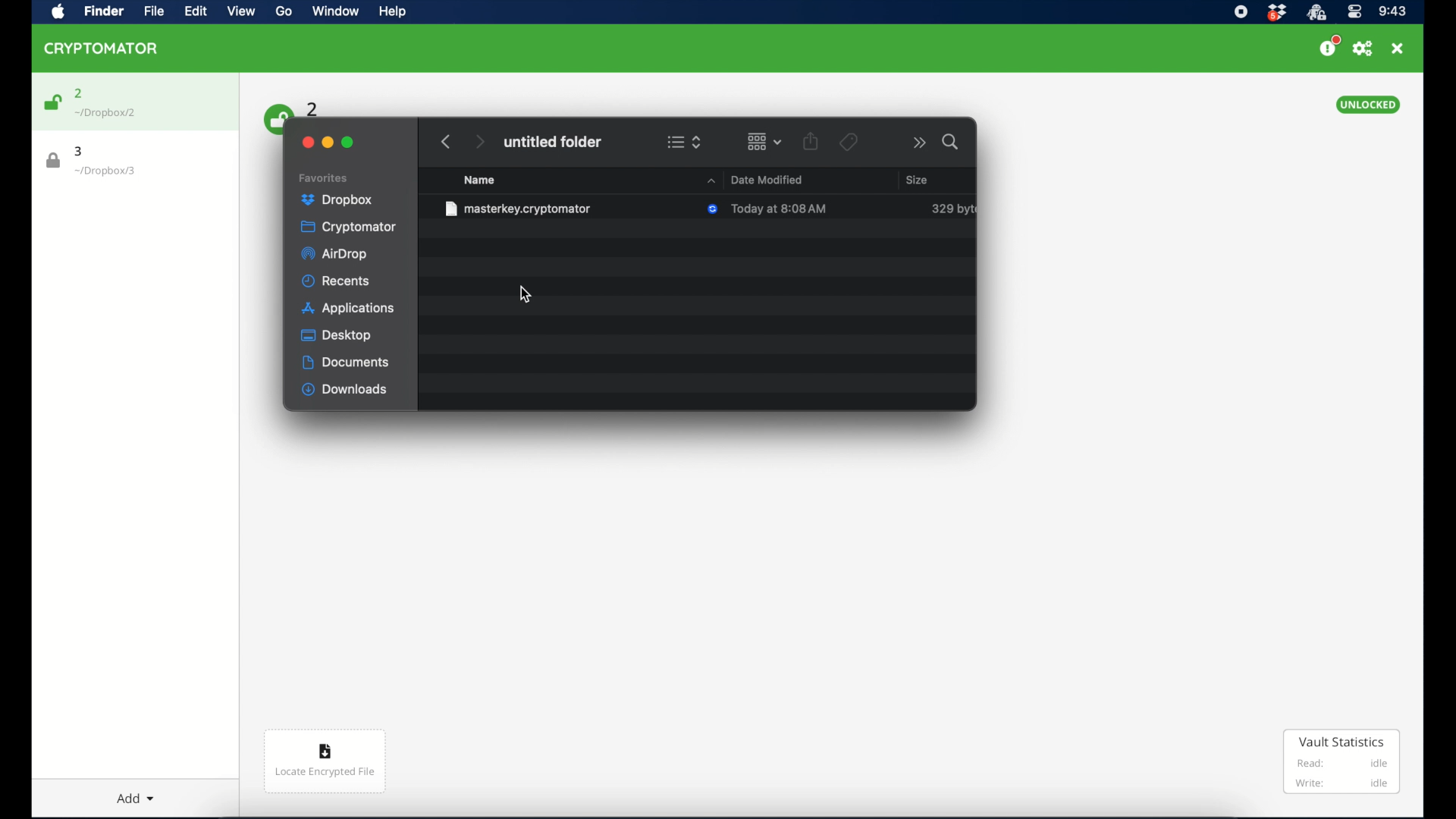  What do you see at coordinates (79, 93) in the screenshot?
I see `2` at bounding box center [79, 93].